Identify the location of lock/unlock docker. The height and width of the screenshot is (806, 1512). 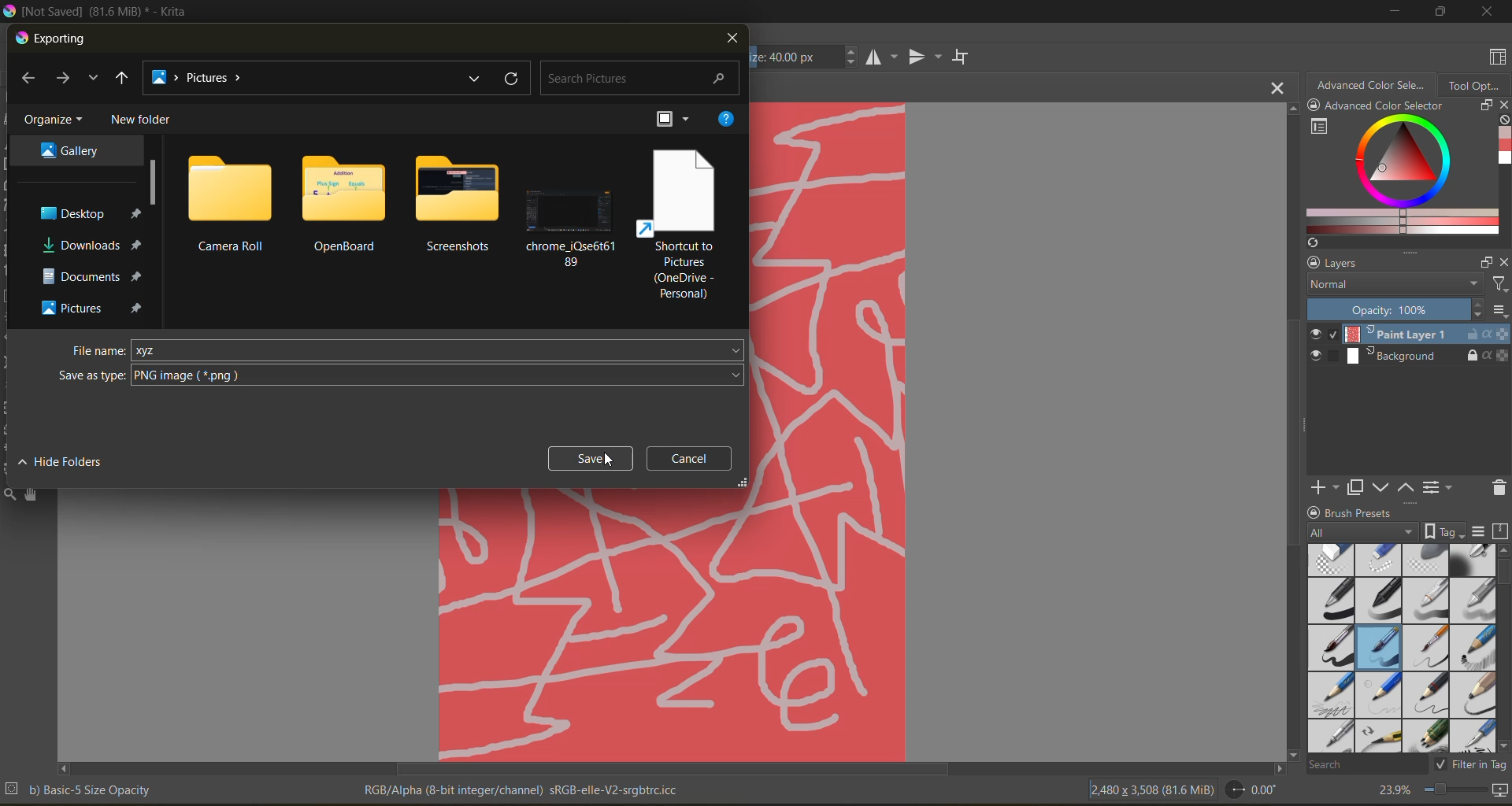
(1316, 511).